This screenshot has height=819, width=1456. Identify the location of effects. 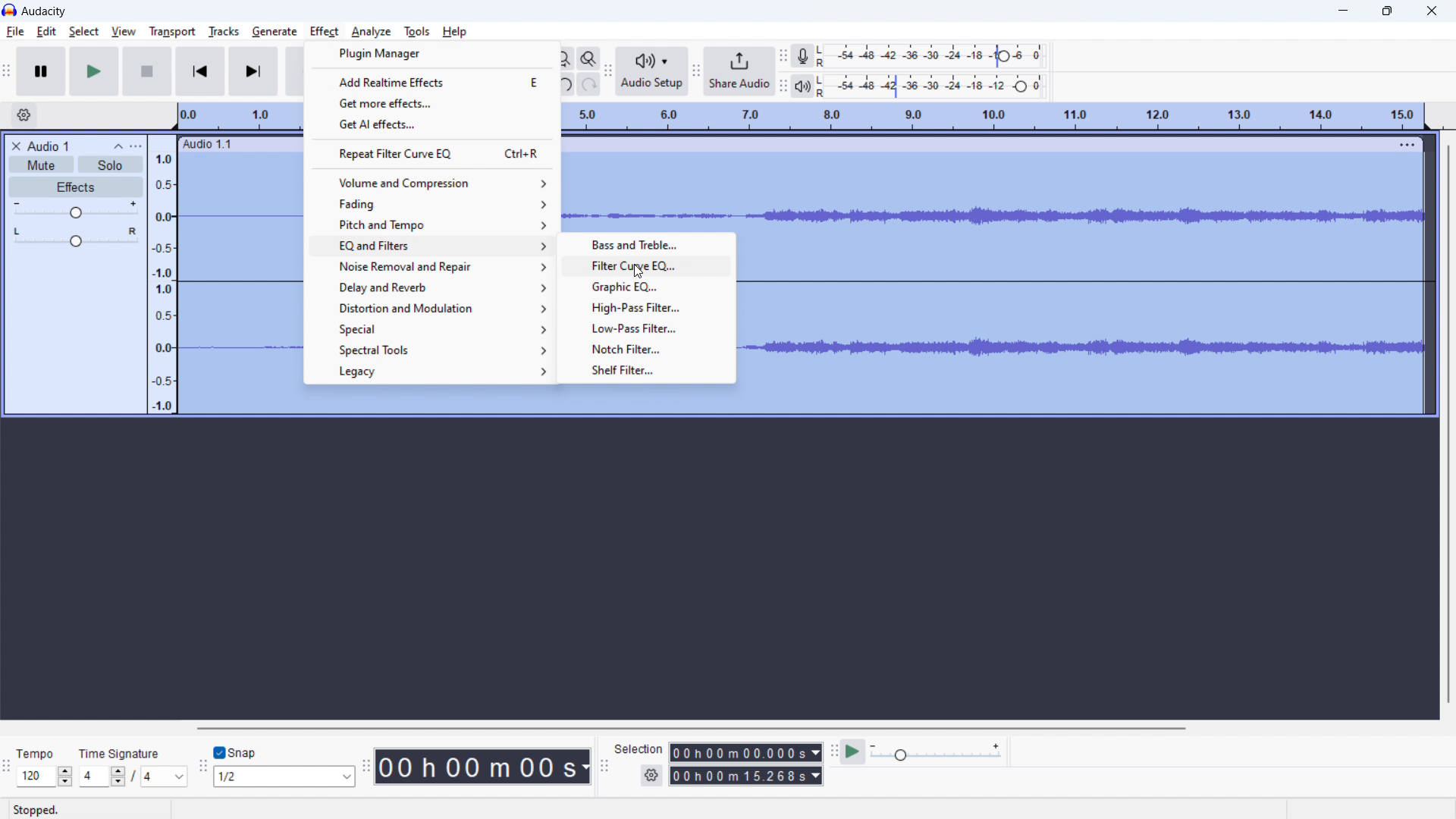
(77, 187).